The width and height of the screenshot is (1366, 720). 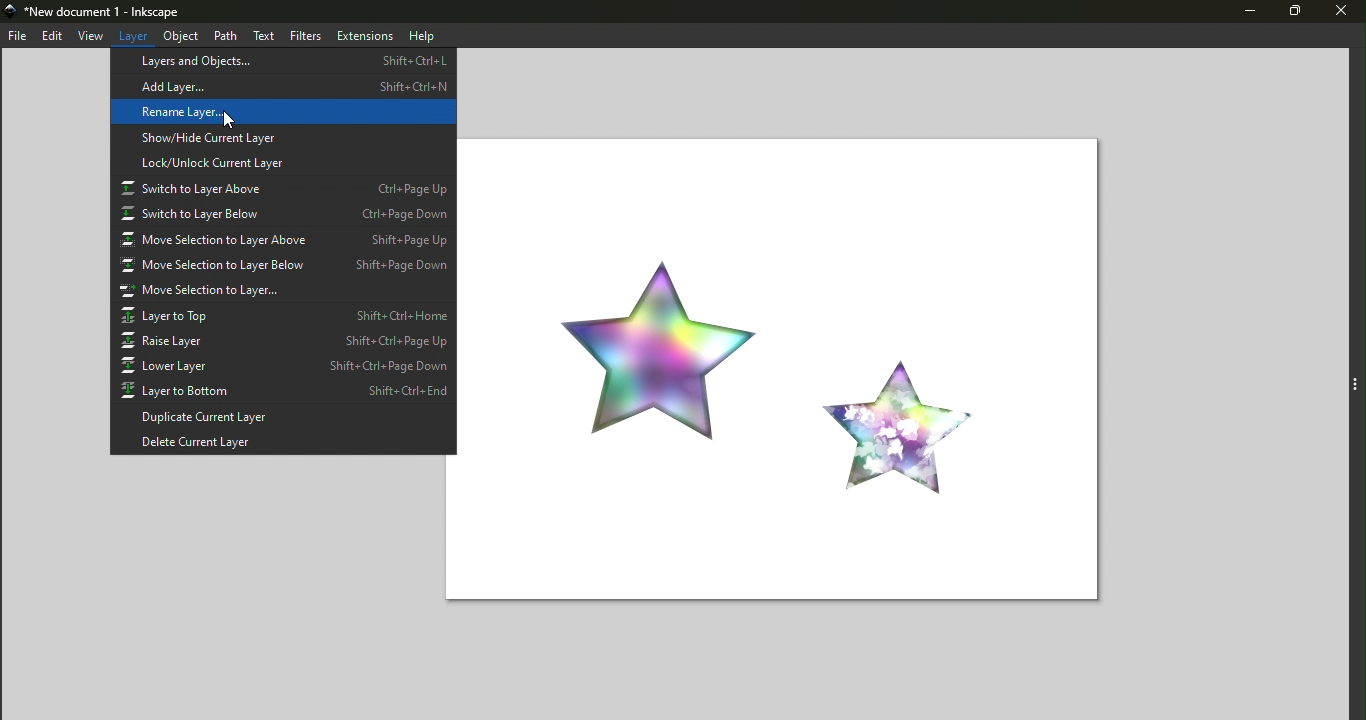 I want to click on close, so click(x=1345, y=13).